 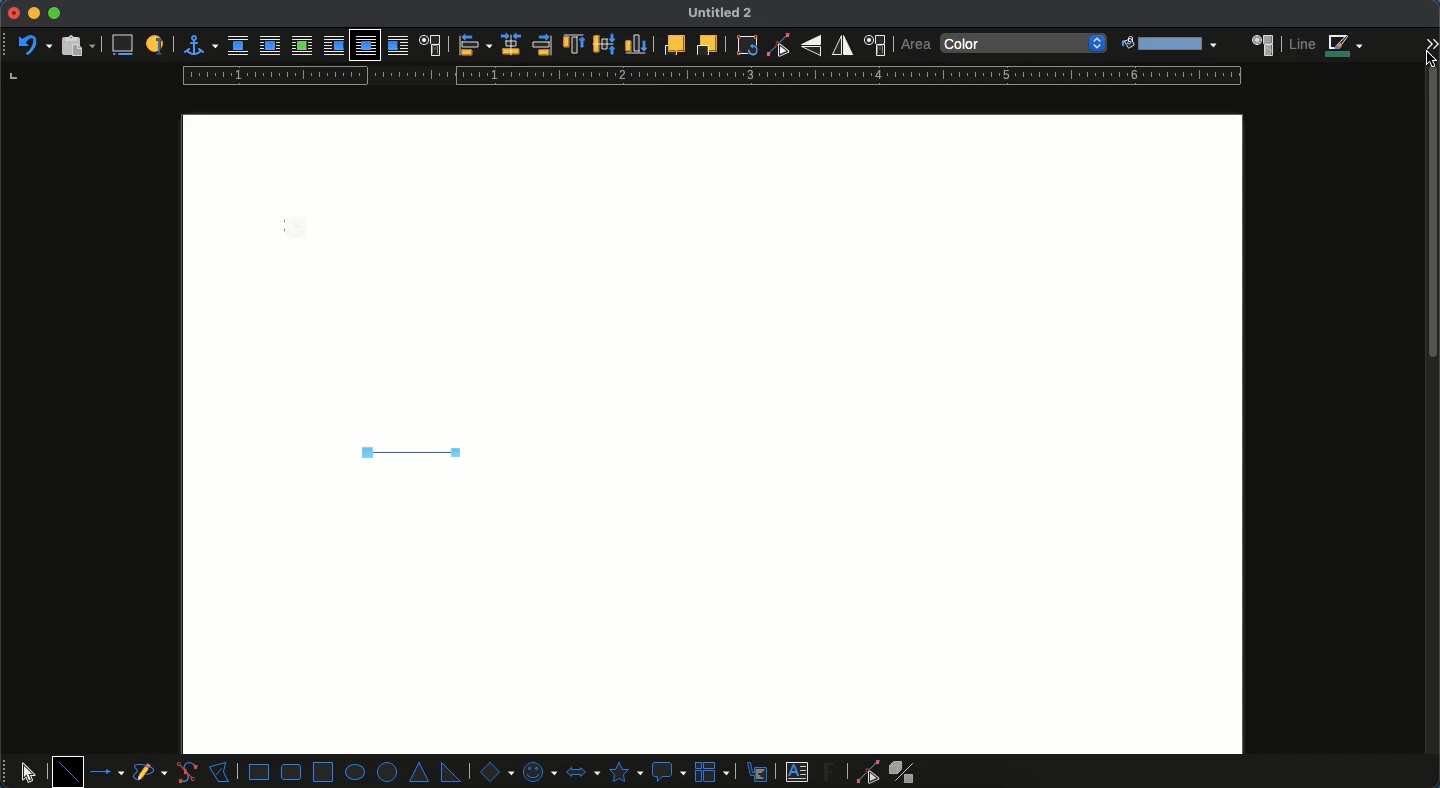 I want to click on insert caption, so click(x=121, y=46).